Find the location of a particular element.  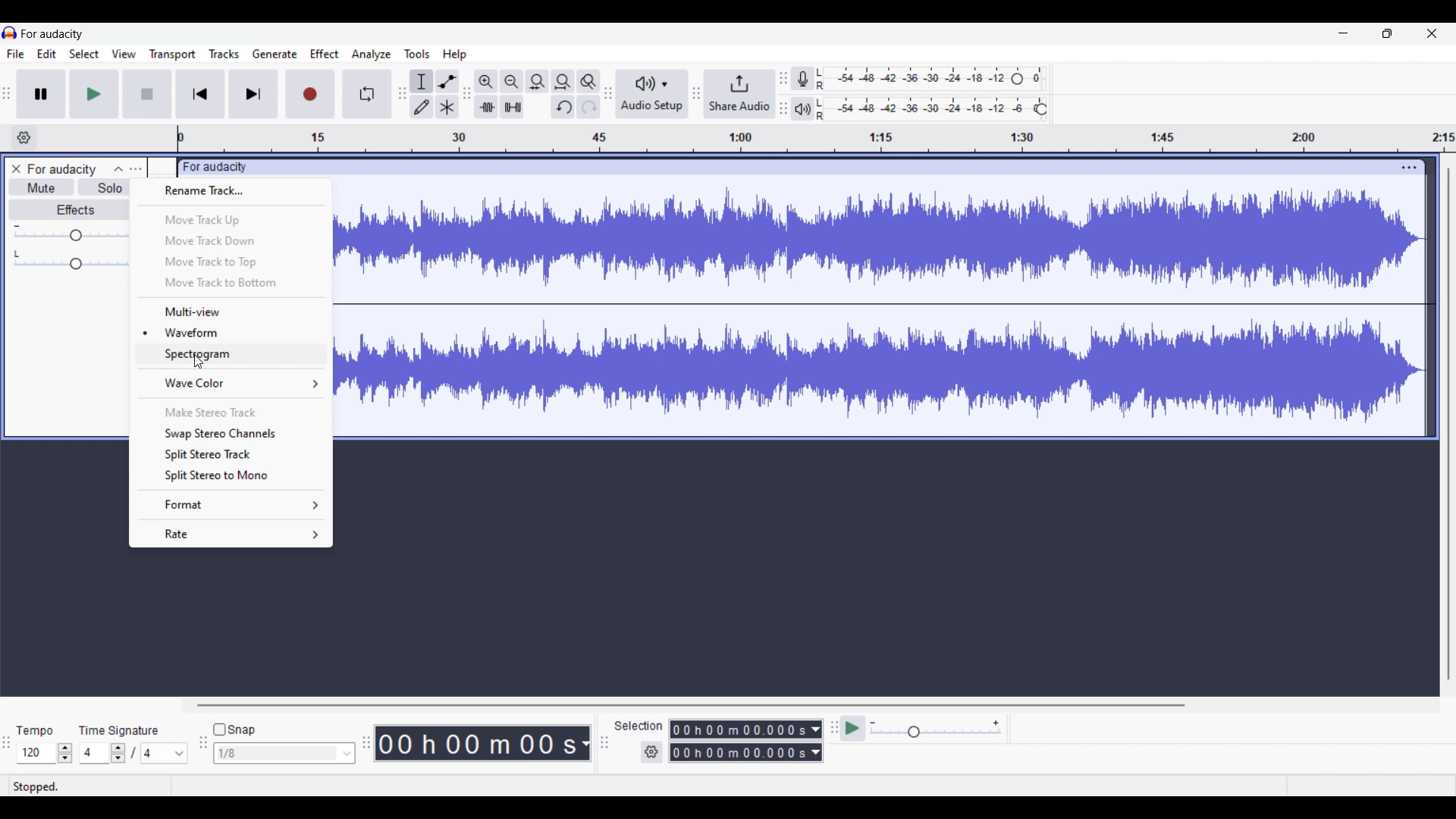

Close track is located at coordinates (16, 168).